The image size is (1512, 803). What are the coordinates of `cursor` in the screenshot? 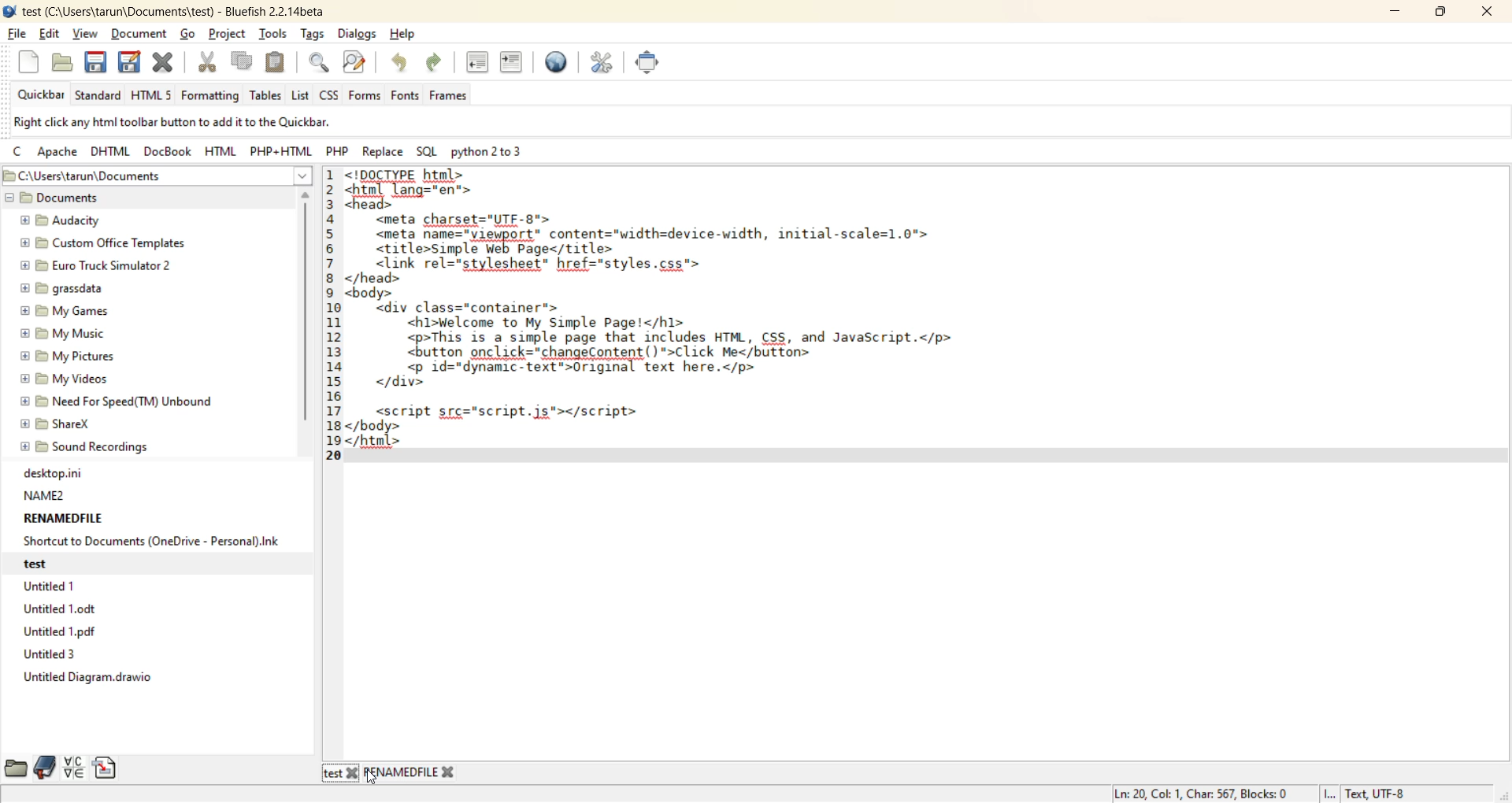 It's located at (373, 779).